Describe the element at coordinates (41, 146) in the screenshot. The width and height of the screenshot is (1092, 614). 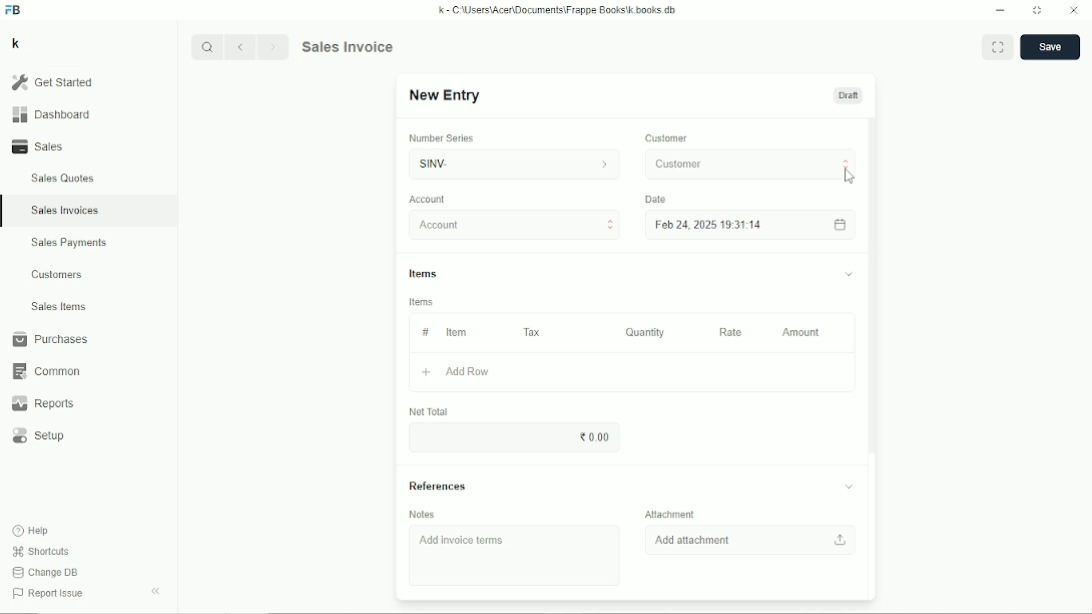
I see `Sales` at that location.